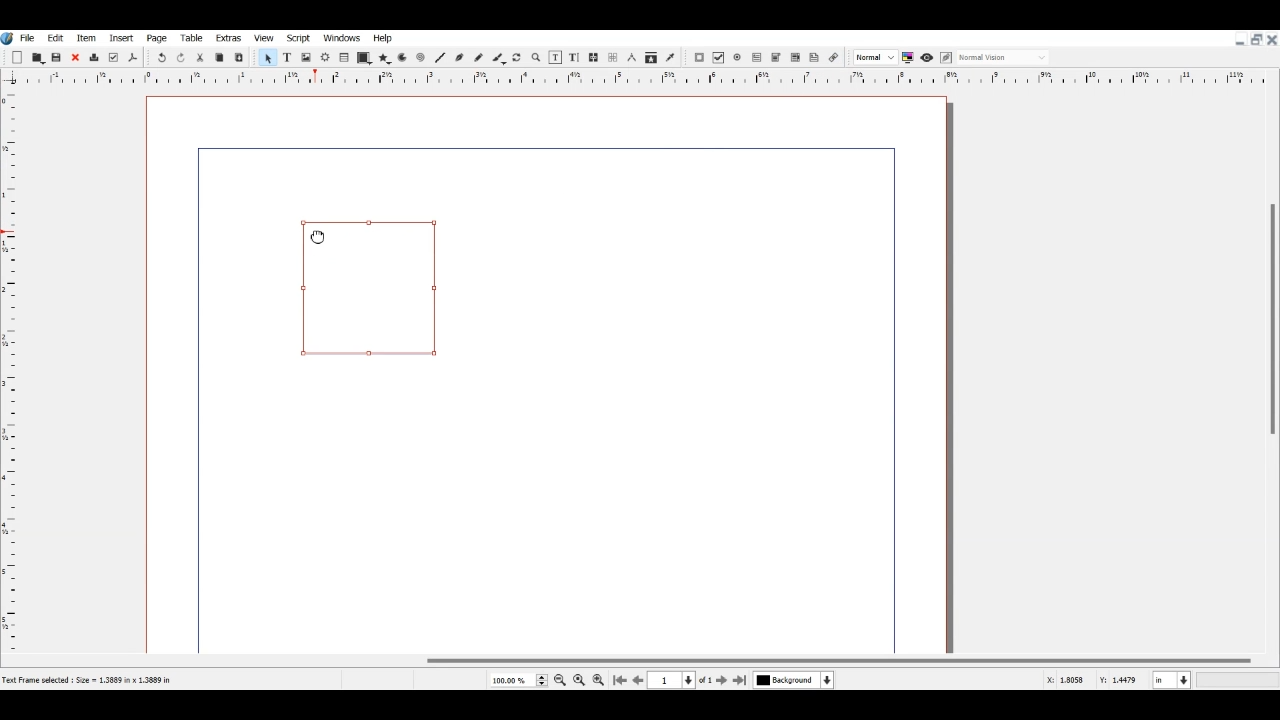  What do you see at coordinates (58, 57) in the screenshot?
I see `Save` at bounding box center [58, 57].